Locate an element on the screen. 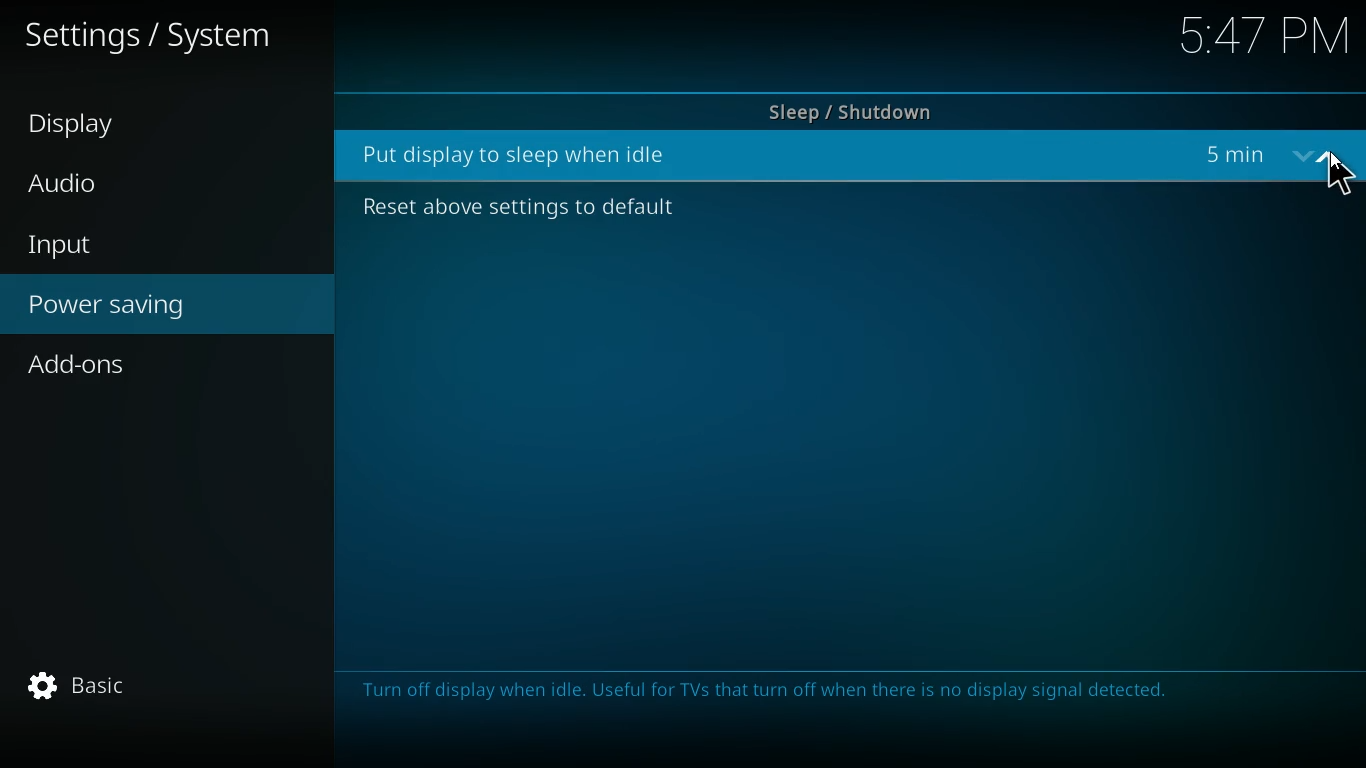  Set Time Changer is located at coordinates (1316, 157).